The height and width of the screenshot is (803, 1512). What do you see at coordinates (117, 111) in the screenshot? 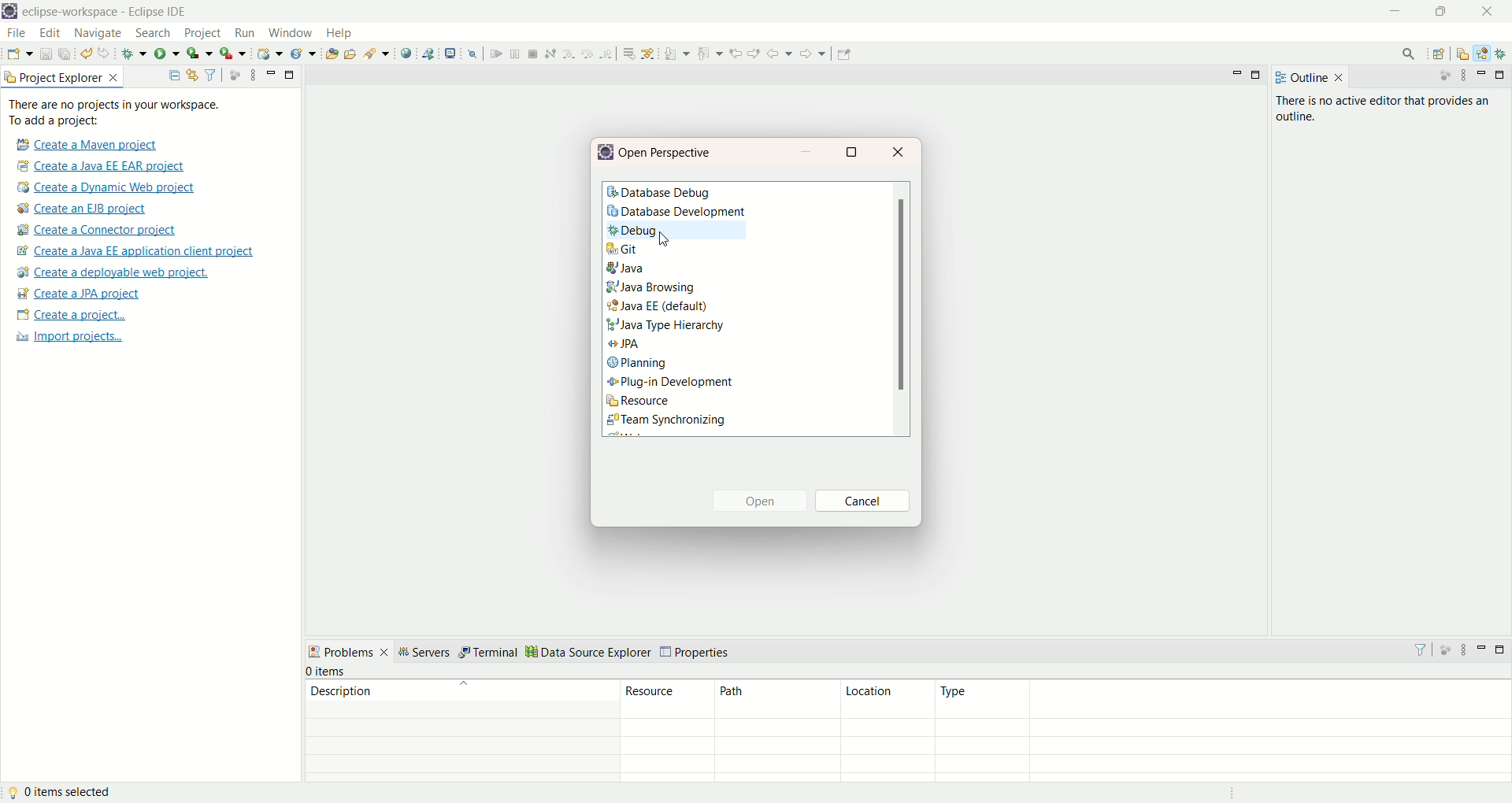
I see `There are no projects in your workspace. To add a project:` at bounding box center [117, 111].